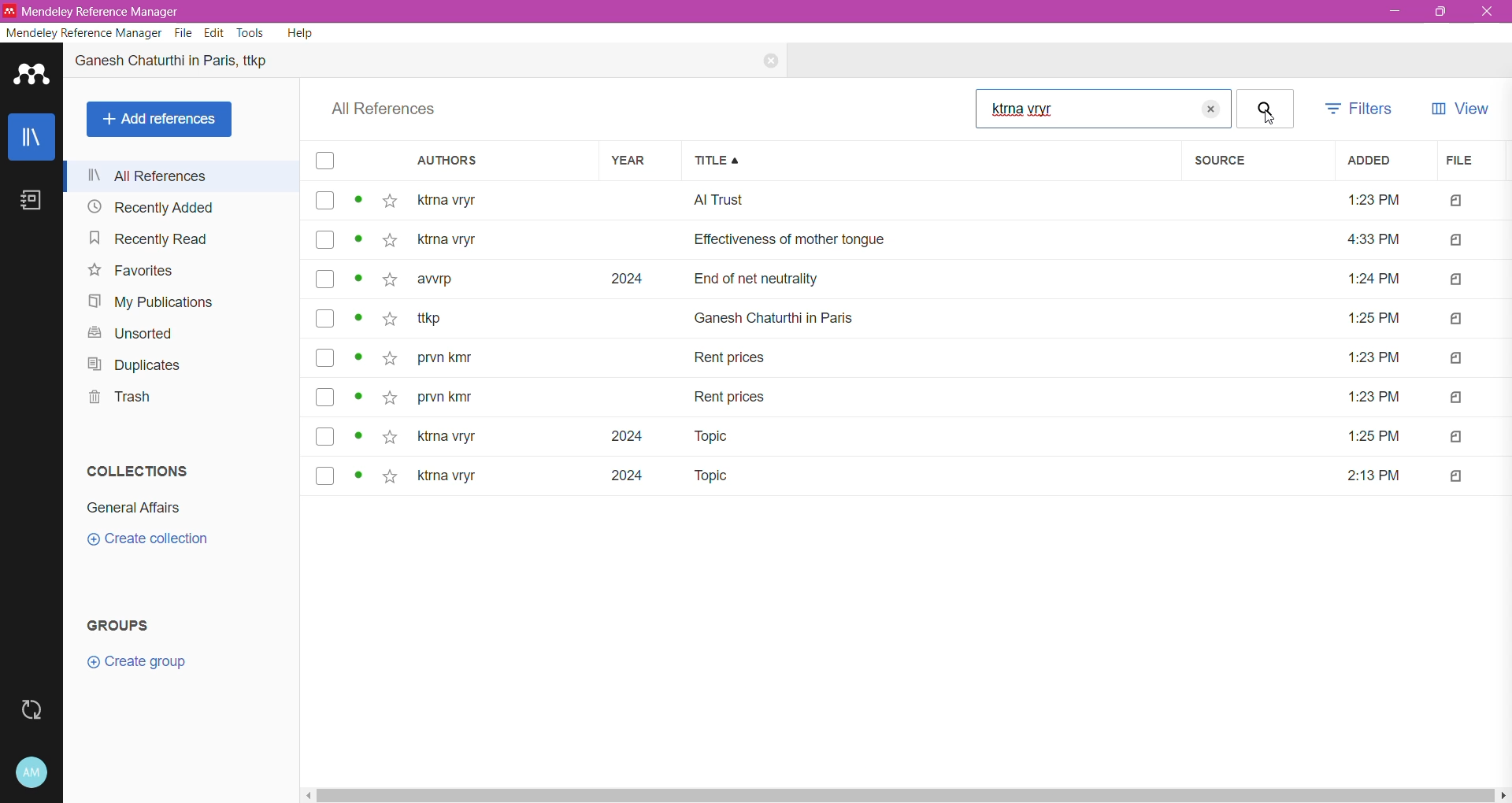  I want to click on Cursor, so click(1269, 113).